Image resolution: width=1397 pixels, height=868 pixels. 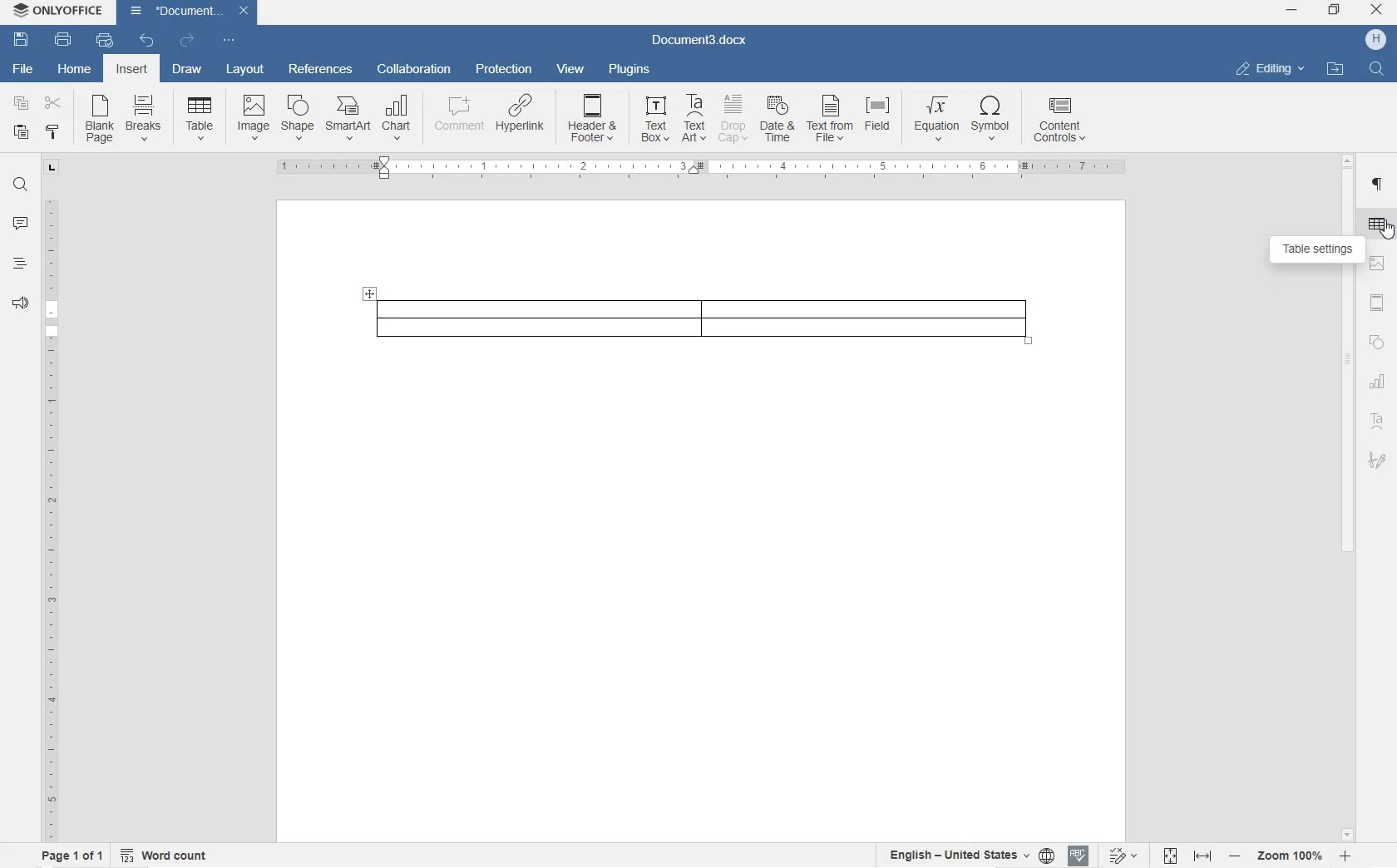 What do you see at coordinates (227, 40) in the screenshot?
I see `CUSTOMIZE QUICK ACCESS TOOLBAR` at bounding box center [227, 40].